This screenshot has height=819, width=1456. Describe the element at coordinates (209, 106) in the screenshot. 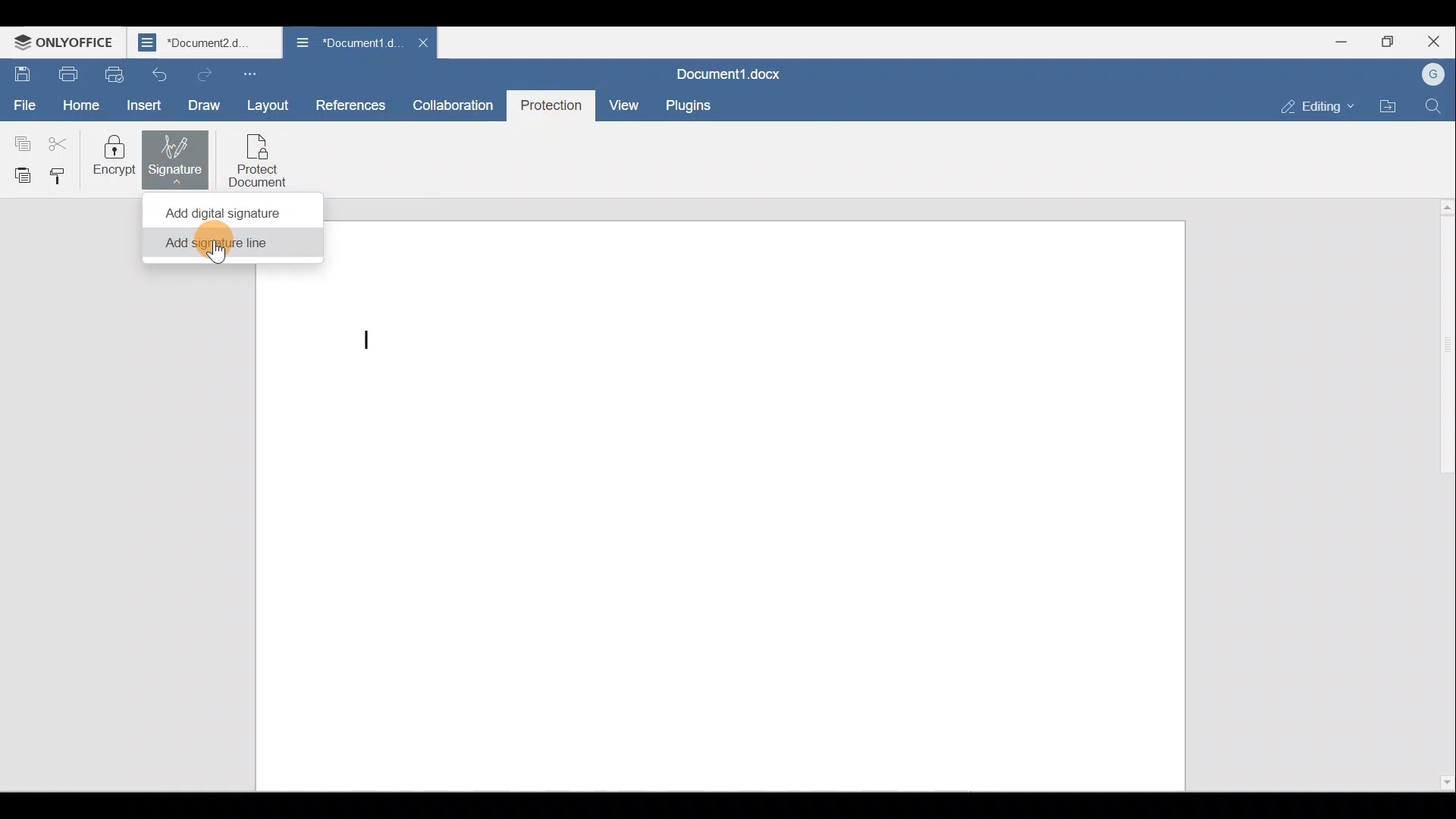

I see `Draw` at that location.